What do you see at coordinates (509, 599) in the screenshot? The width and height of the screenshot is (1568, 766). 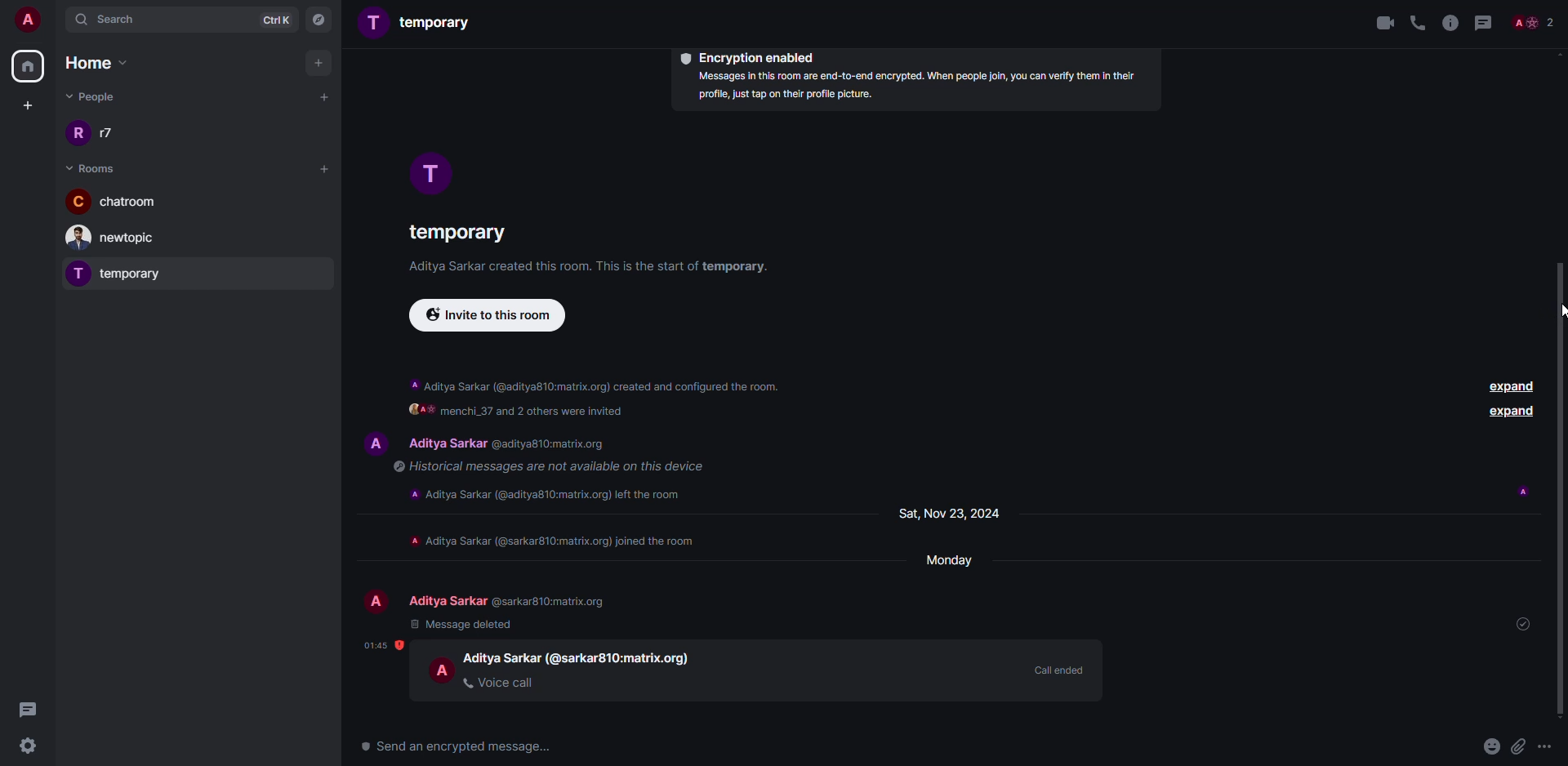 I see `Aditya Sarkar @aditya810:matrix.org` at bounding box center [509, 599].